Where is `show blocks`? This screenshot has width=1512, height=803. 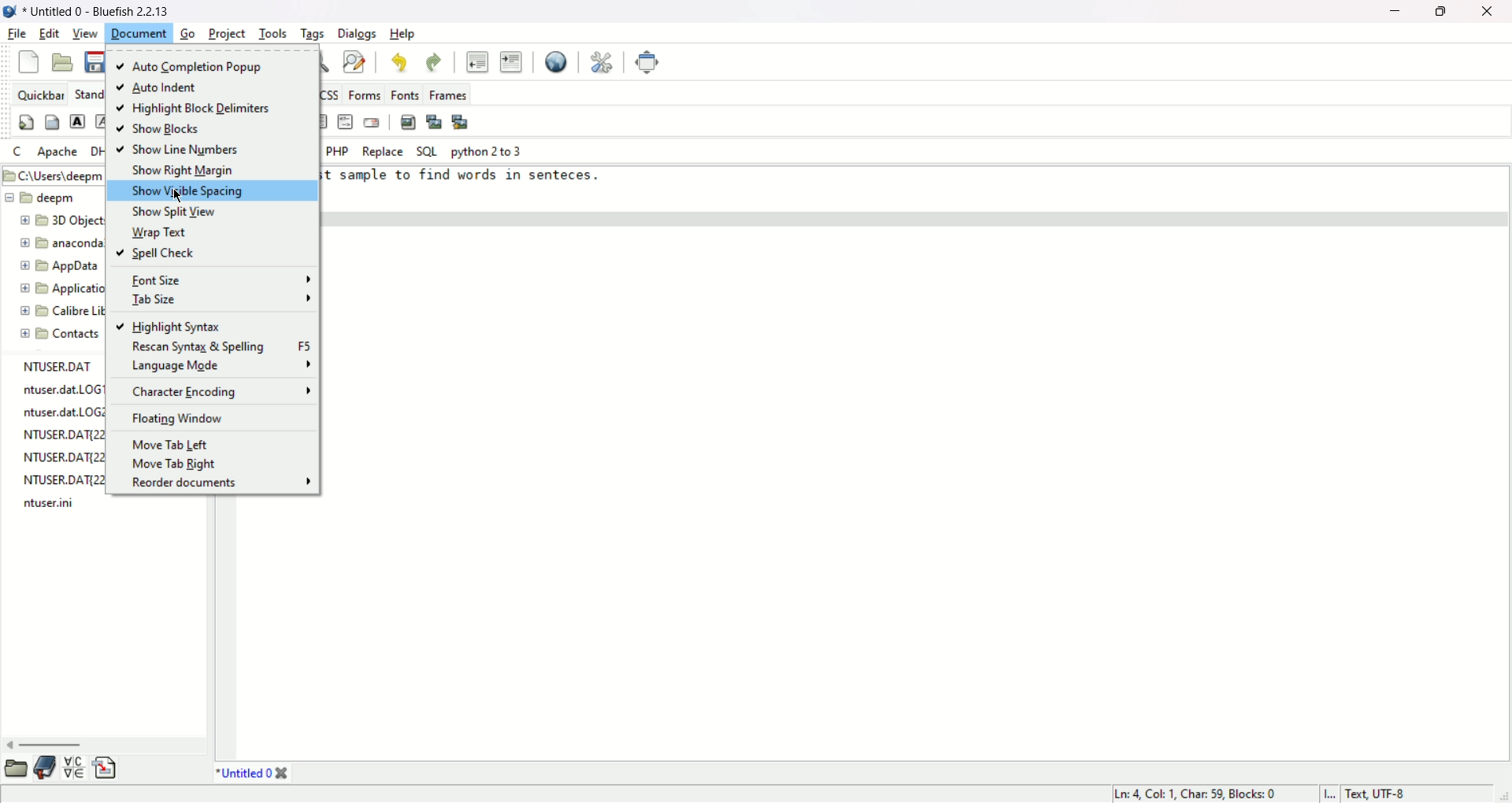
show blocks is located at coordinates (172, 129).